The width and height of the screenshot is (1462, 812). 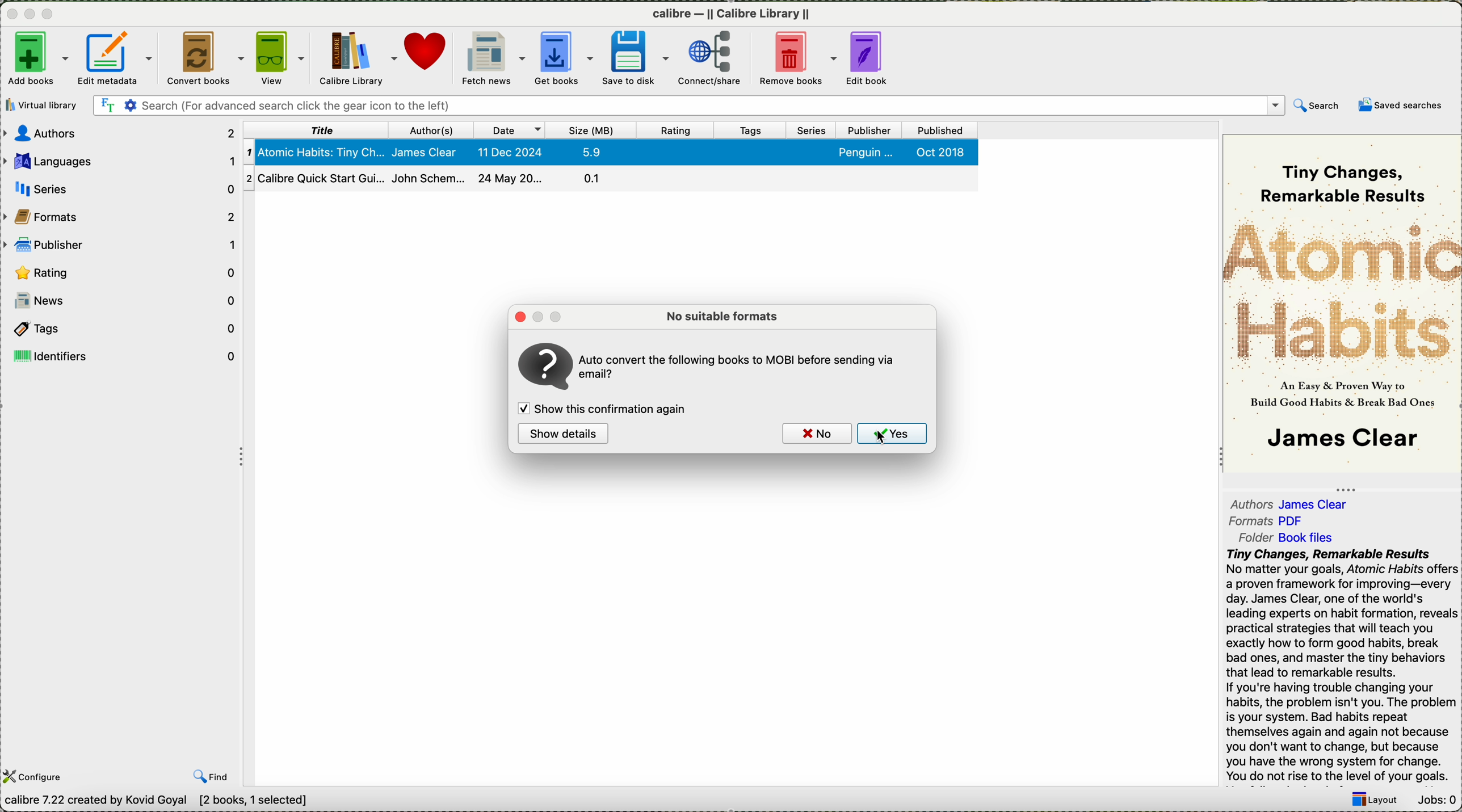 What do you see at coordinates (566, 59) in the screenshot?
I see `get books` at bounding box center [566, 59].